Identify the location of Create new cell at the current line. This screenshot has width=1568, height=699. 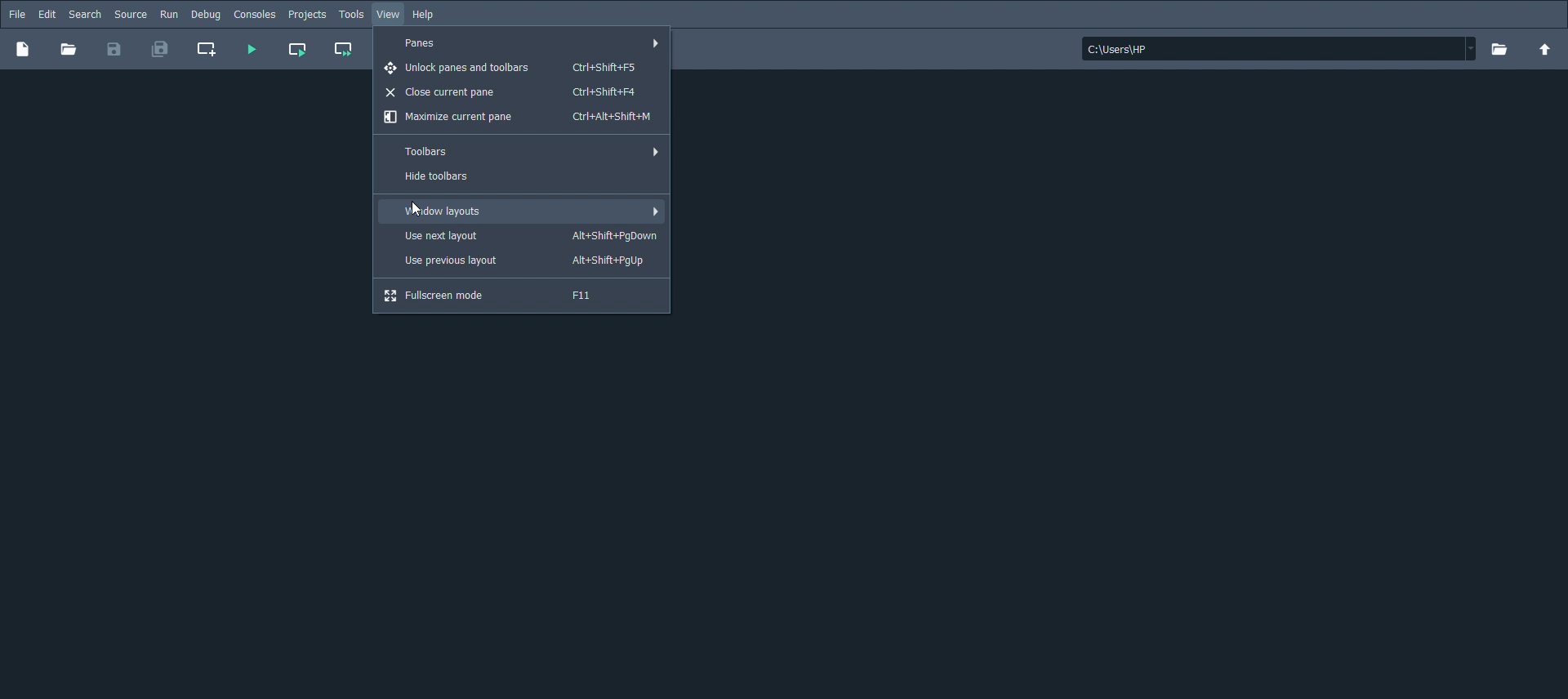
(207, 49).